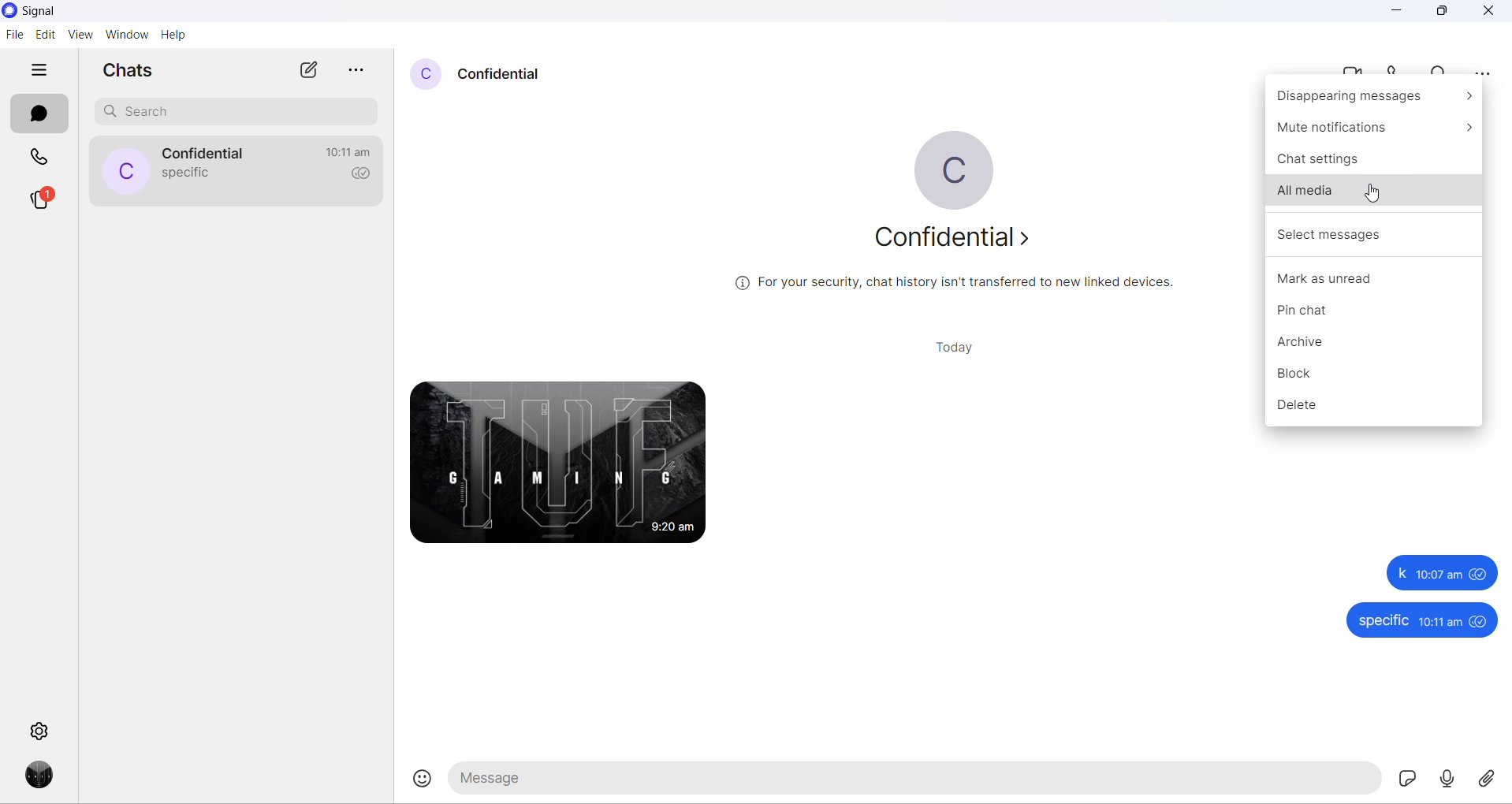  Describe the element at coordinates (47, 12) in the screenshot. I see `application name and logo` at that location.